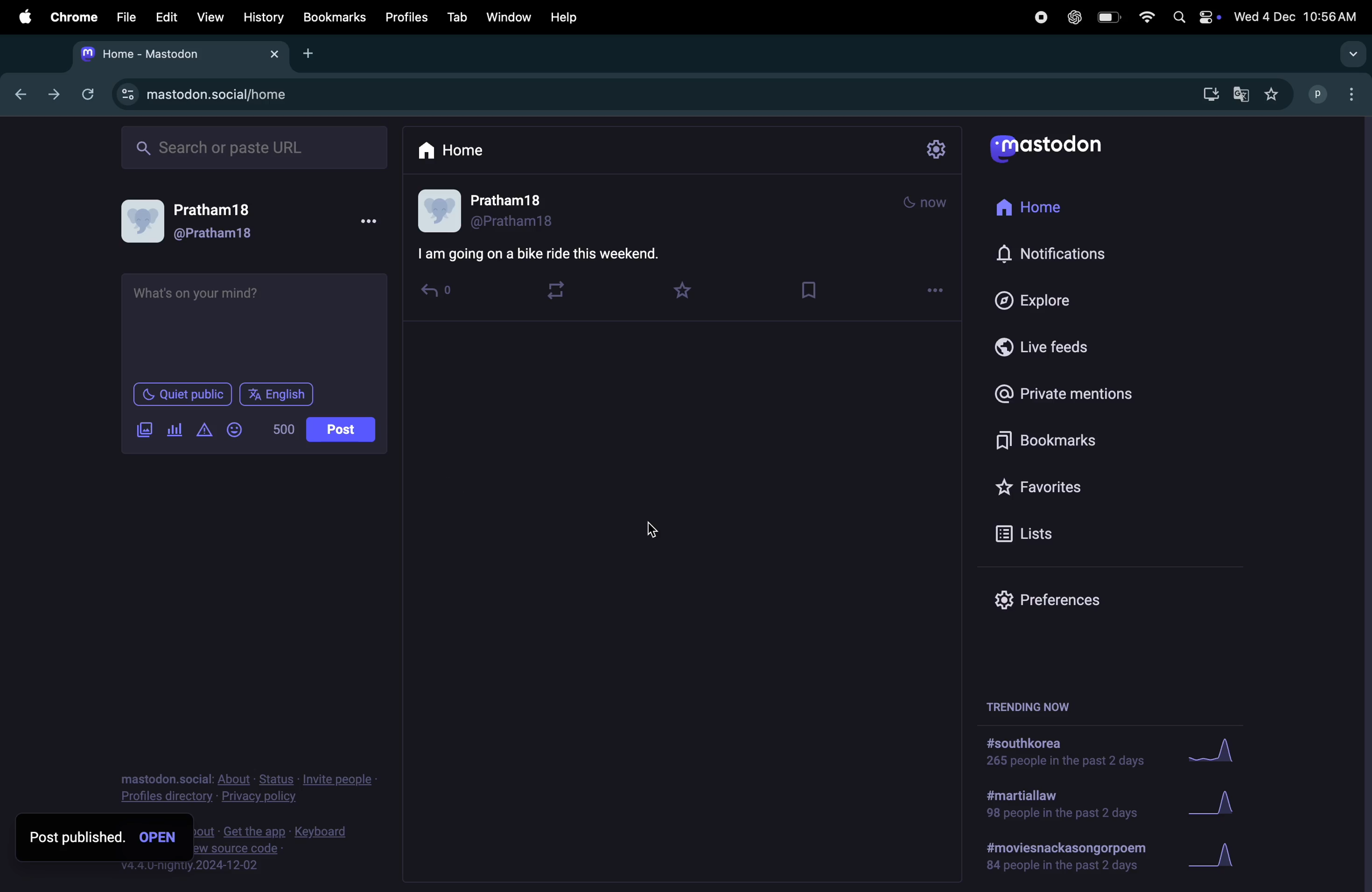 This screenshot has width=1372, height=892. What do you see at coordinates (124, 17) in the screenshot?
I see `file` at bounding box center [124, 17].